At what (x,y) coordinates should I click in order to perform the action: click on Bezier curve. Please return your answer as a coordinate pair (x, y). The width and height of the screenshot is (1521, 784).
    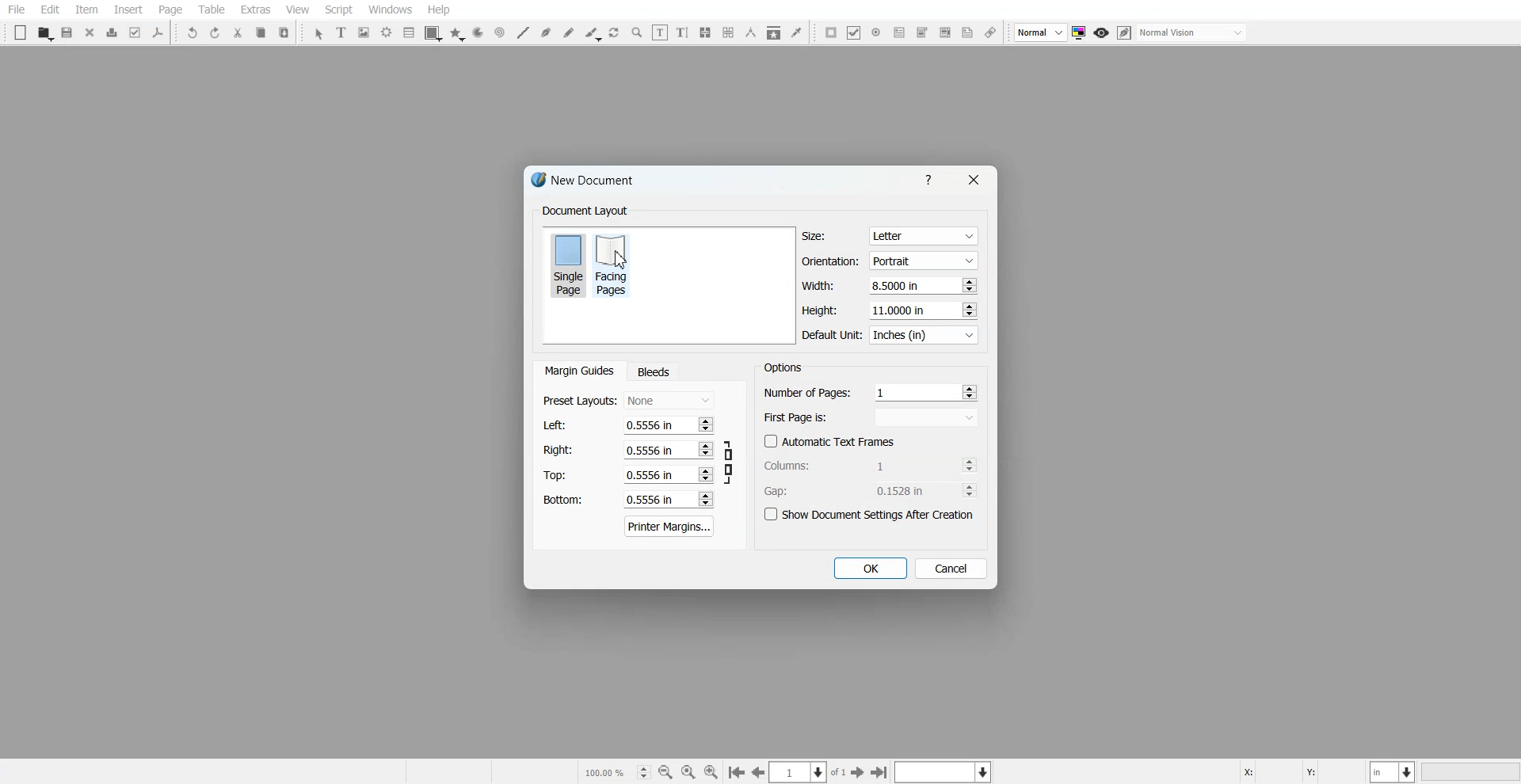
    Looking at the image, I should click on (546, 32).